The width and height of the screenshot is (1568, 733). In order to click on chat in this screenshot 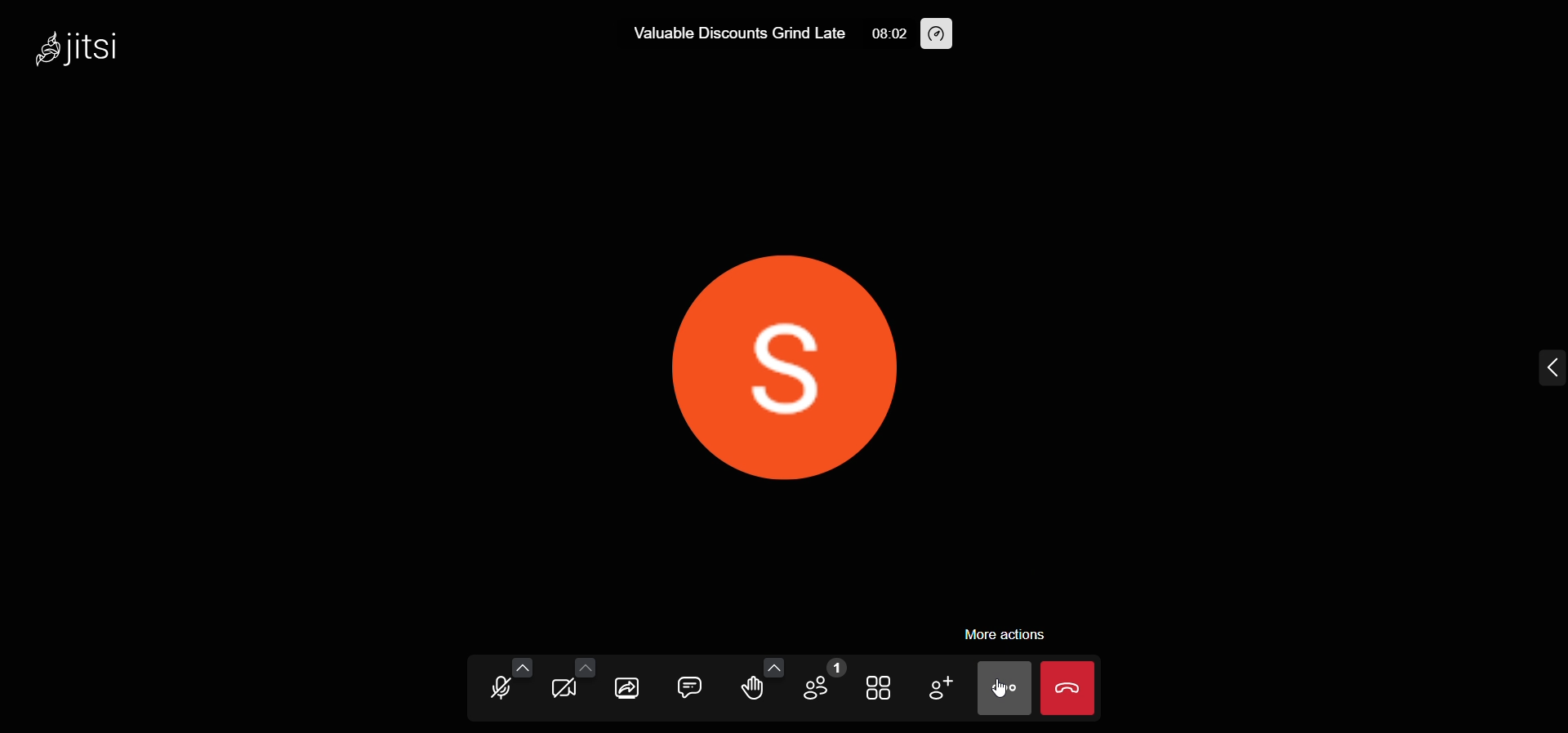, I will do `click(689, 684)`.